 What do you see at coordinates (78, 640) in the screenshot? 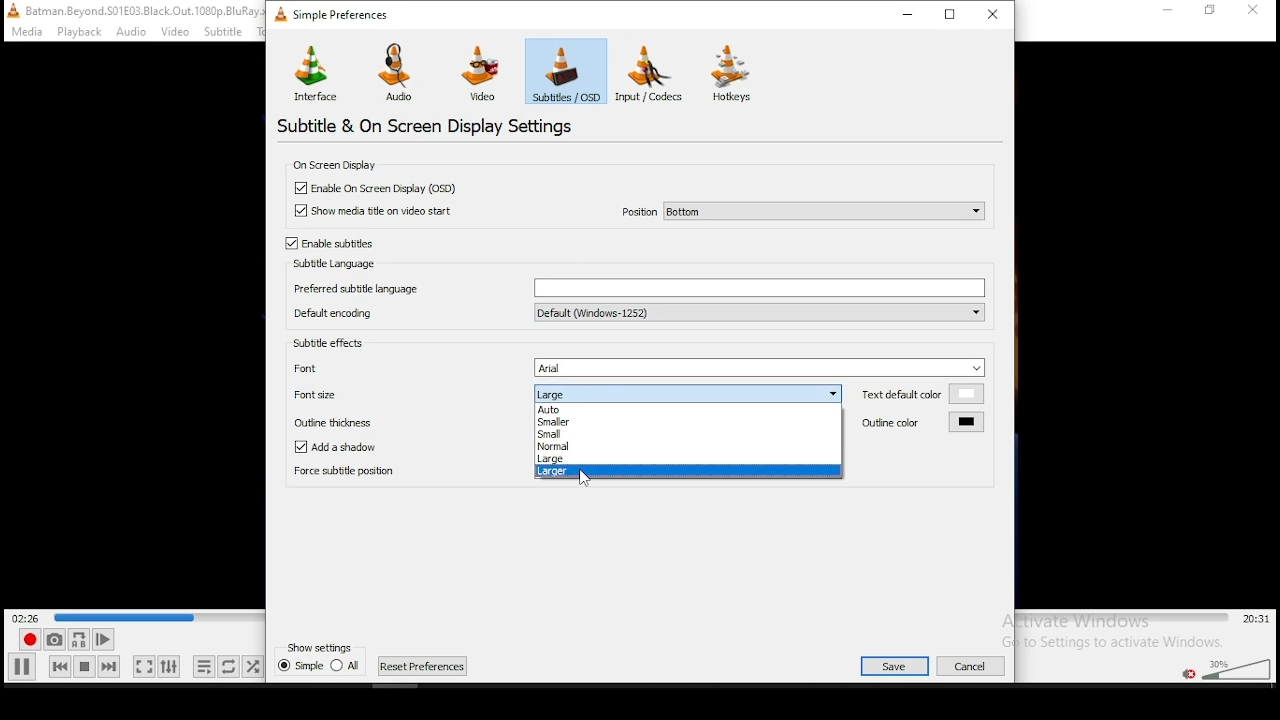
I see `loop between point A and point B continuously. Click set point A.` at bounding box center [78, 640].